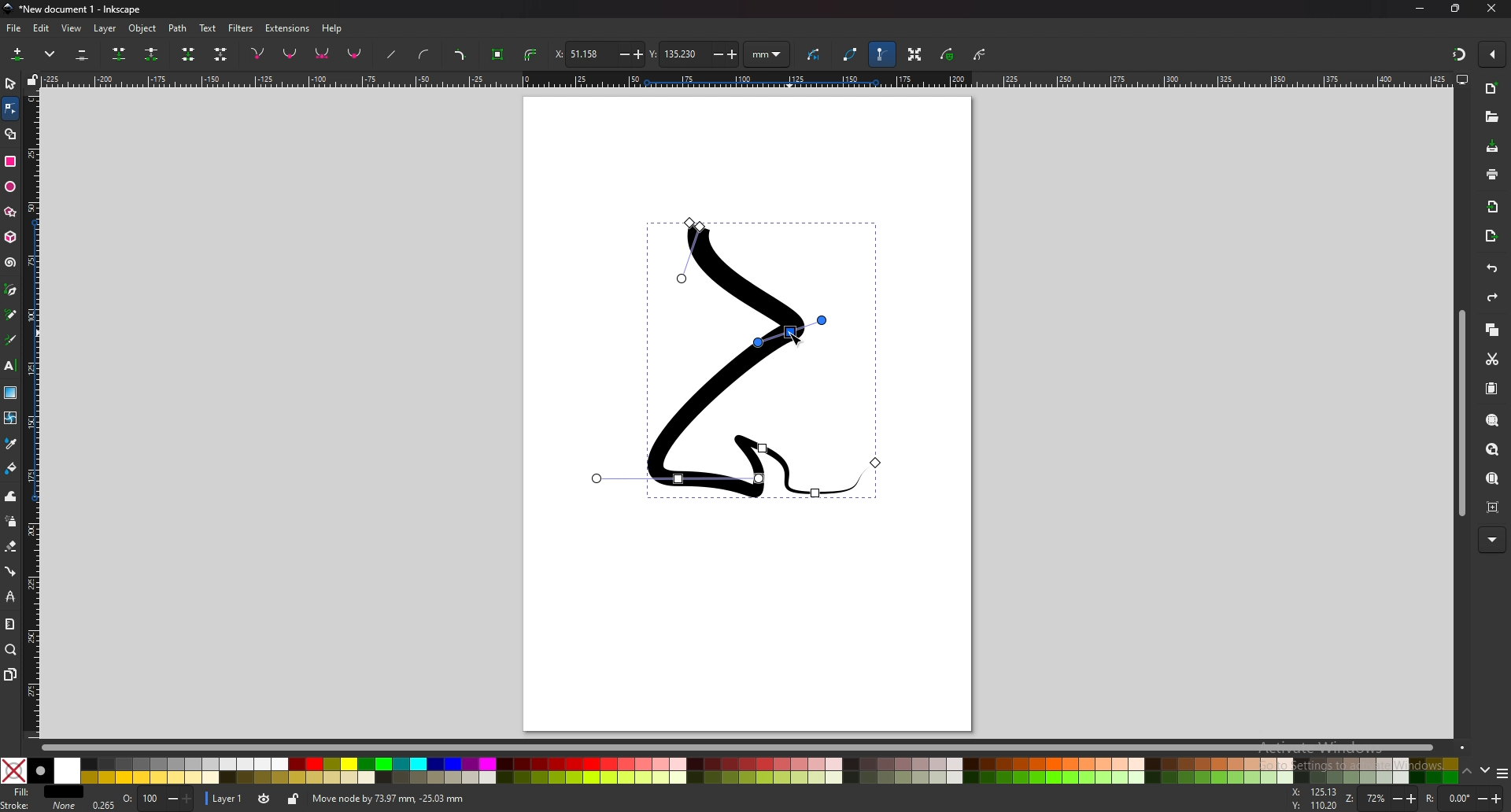 The height and width of the screenshot is (812, 1511). I want to click on options, so click(1502, 775).